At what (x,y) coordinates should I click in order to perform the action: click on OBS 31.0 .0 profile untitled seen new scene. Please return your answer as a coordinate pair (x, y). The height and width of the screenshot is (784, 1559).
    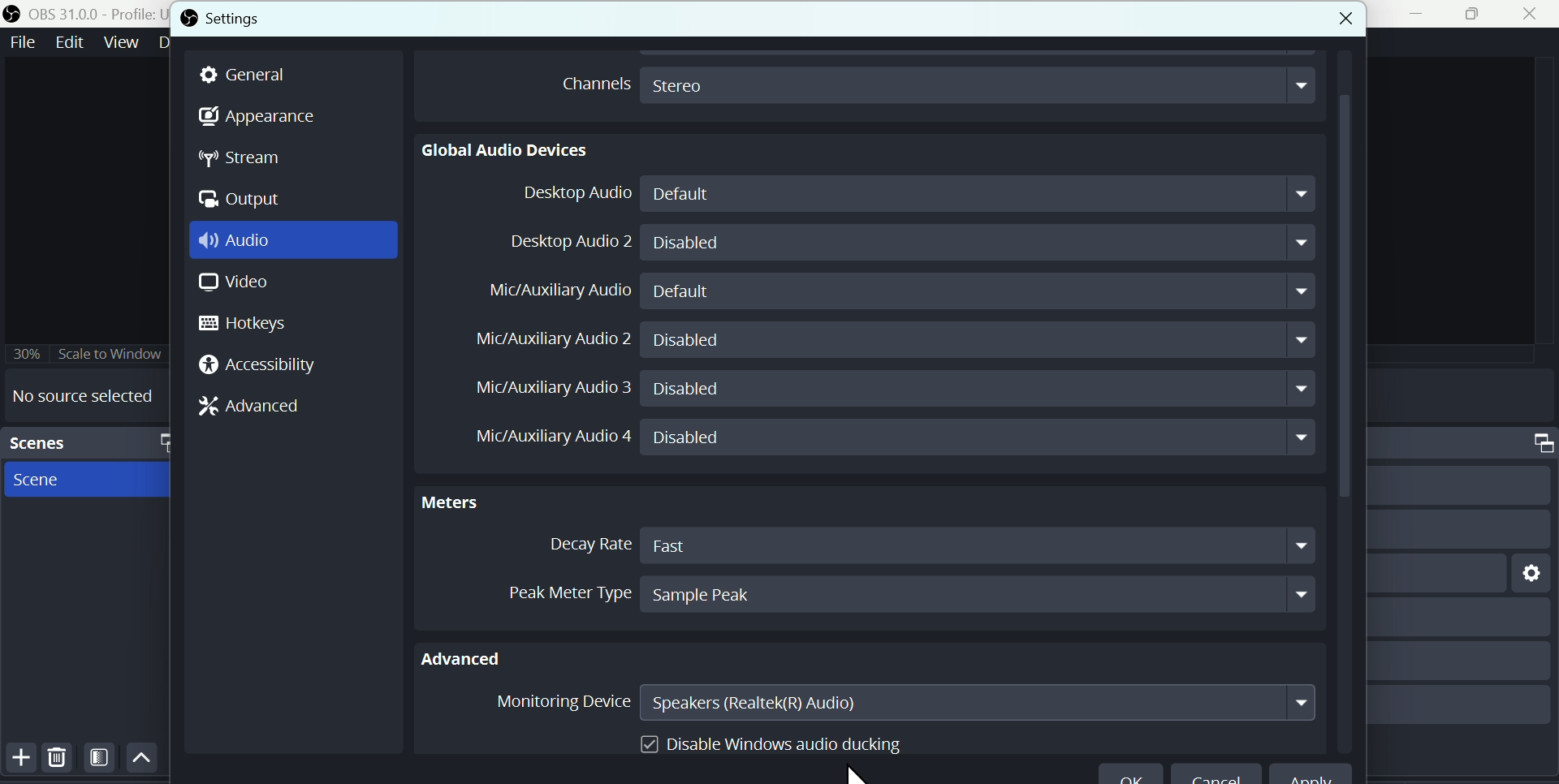
    Looking at the image, I should click on (96, 13).